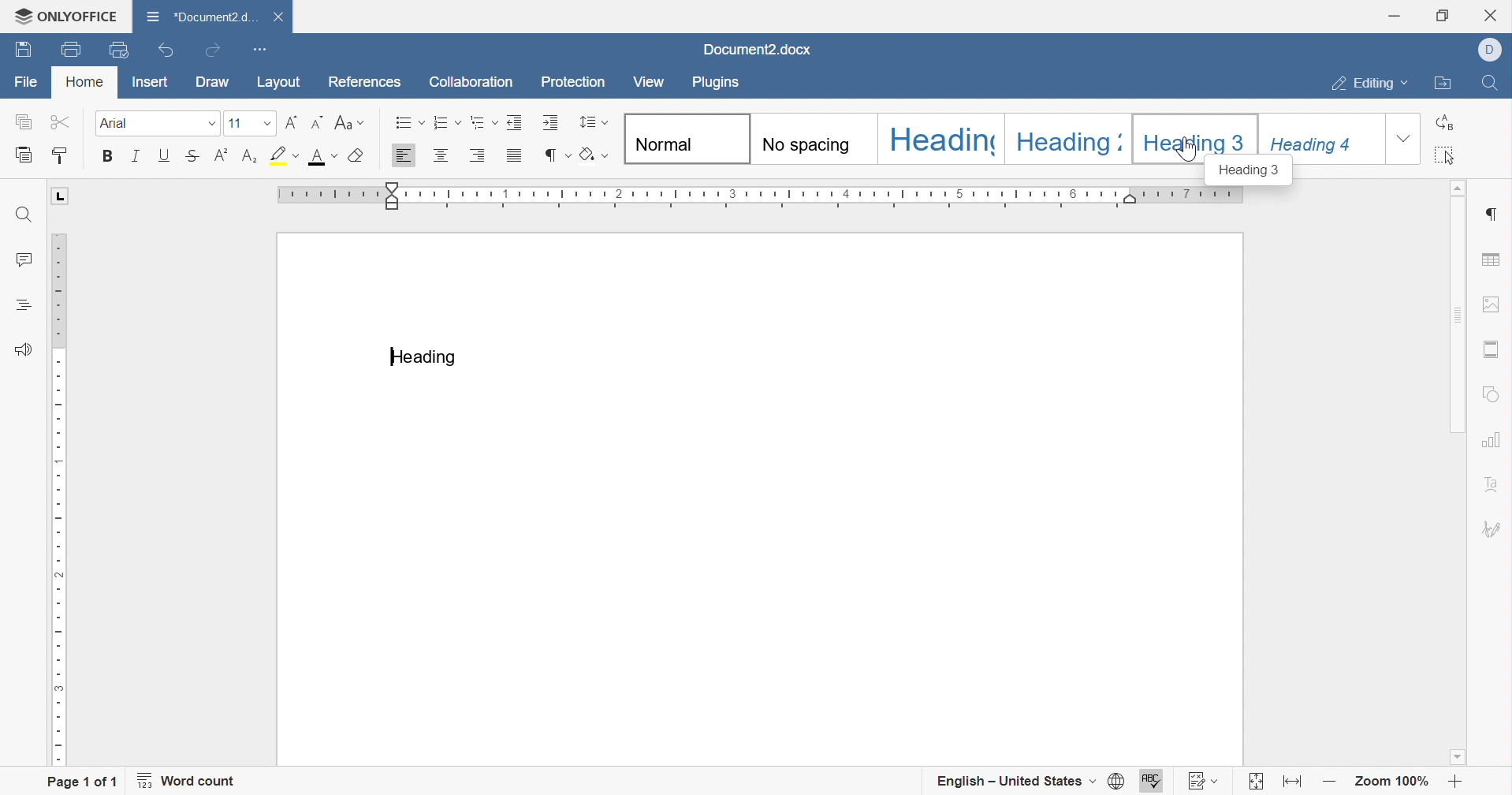  What do you see at coordinates (1495, 439) in the screenshot?
I see `Chart settings` at bounding box center [1495, 439].